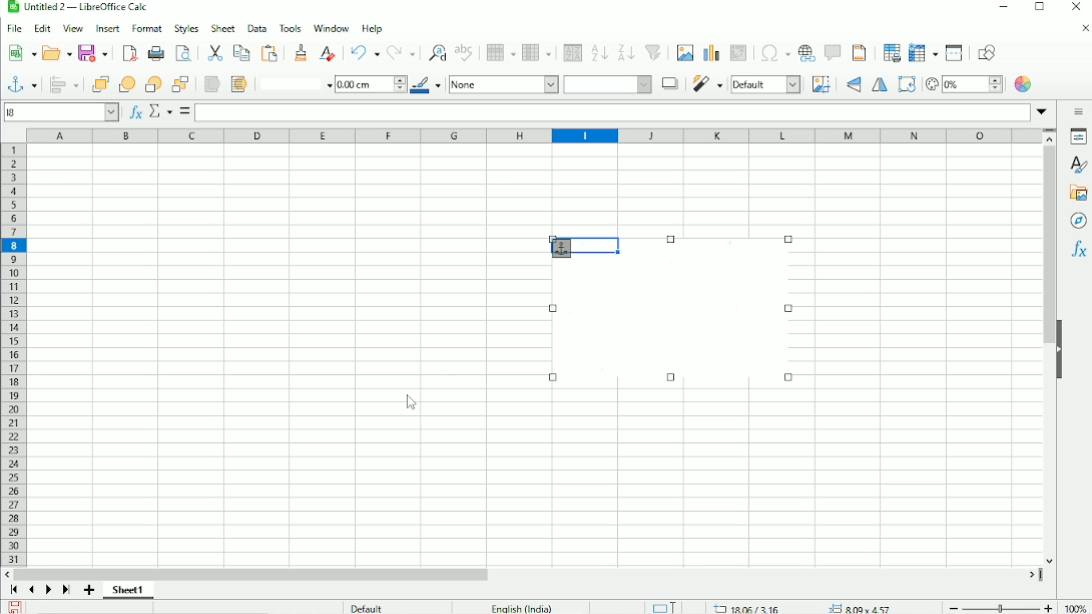 The height and width of the screenshot is (614, 1092). I want to click on Sort, so click(571, 53).